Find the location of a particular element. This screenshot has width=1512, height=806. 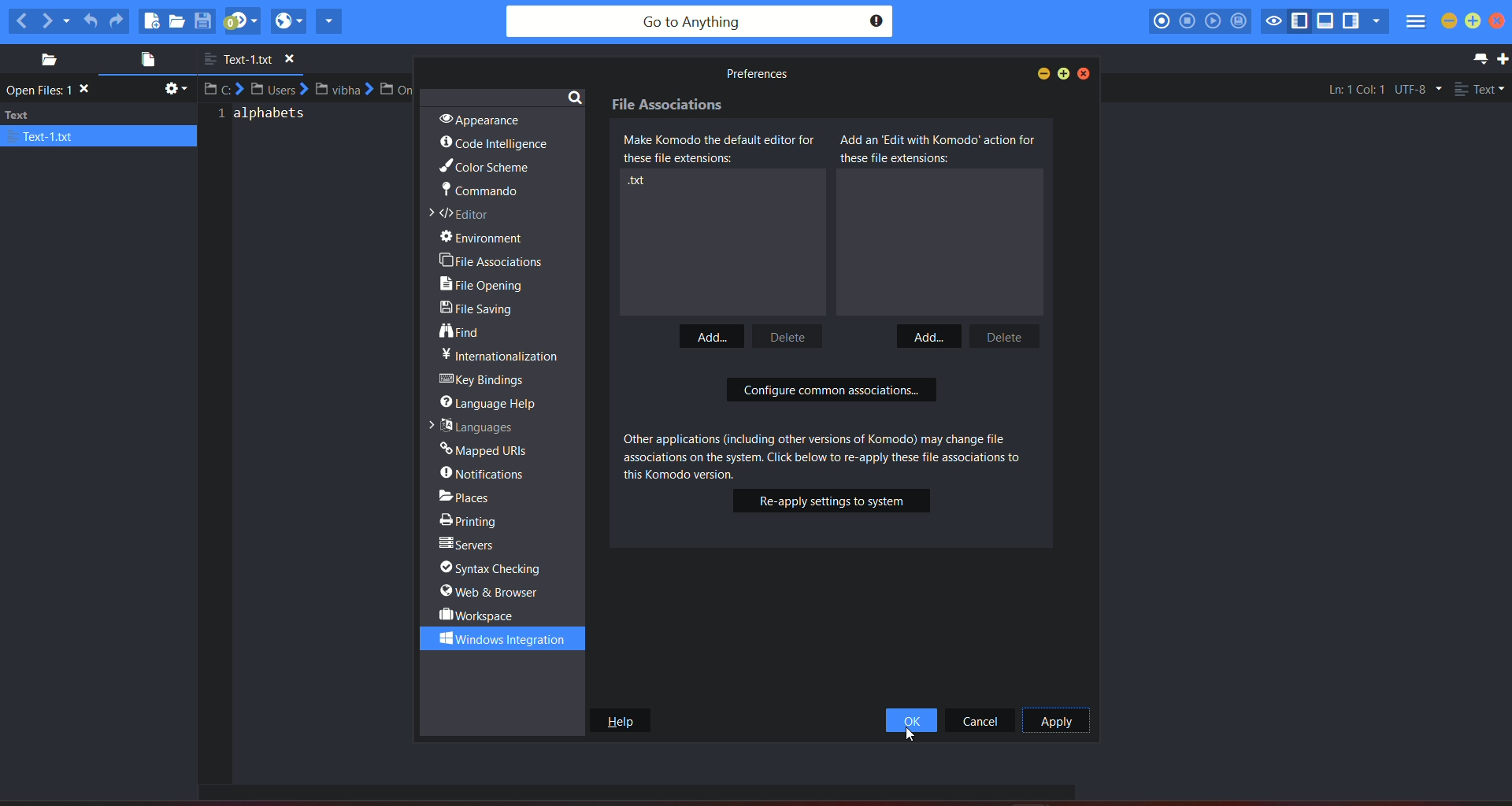

show/hide right pane is located at coordinates (1351, 23).